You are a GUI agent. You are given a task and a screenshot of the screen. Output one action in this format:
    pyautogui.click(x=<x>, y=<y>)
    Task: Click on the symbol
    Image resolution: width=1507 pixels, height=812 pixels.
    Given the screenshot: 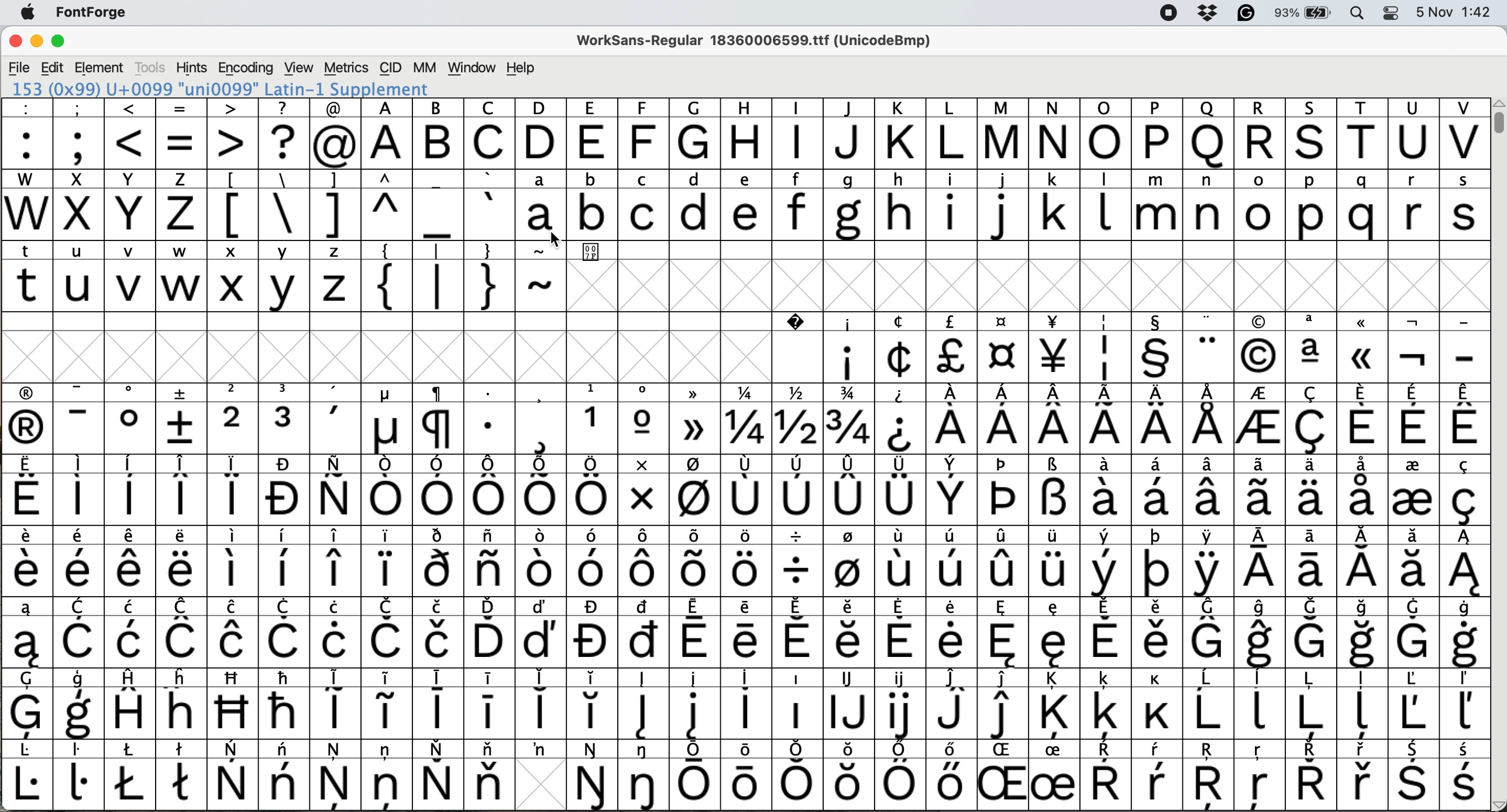 What is the action you would take?
    pyautogui.click(x=387, y=632)
    